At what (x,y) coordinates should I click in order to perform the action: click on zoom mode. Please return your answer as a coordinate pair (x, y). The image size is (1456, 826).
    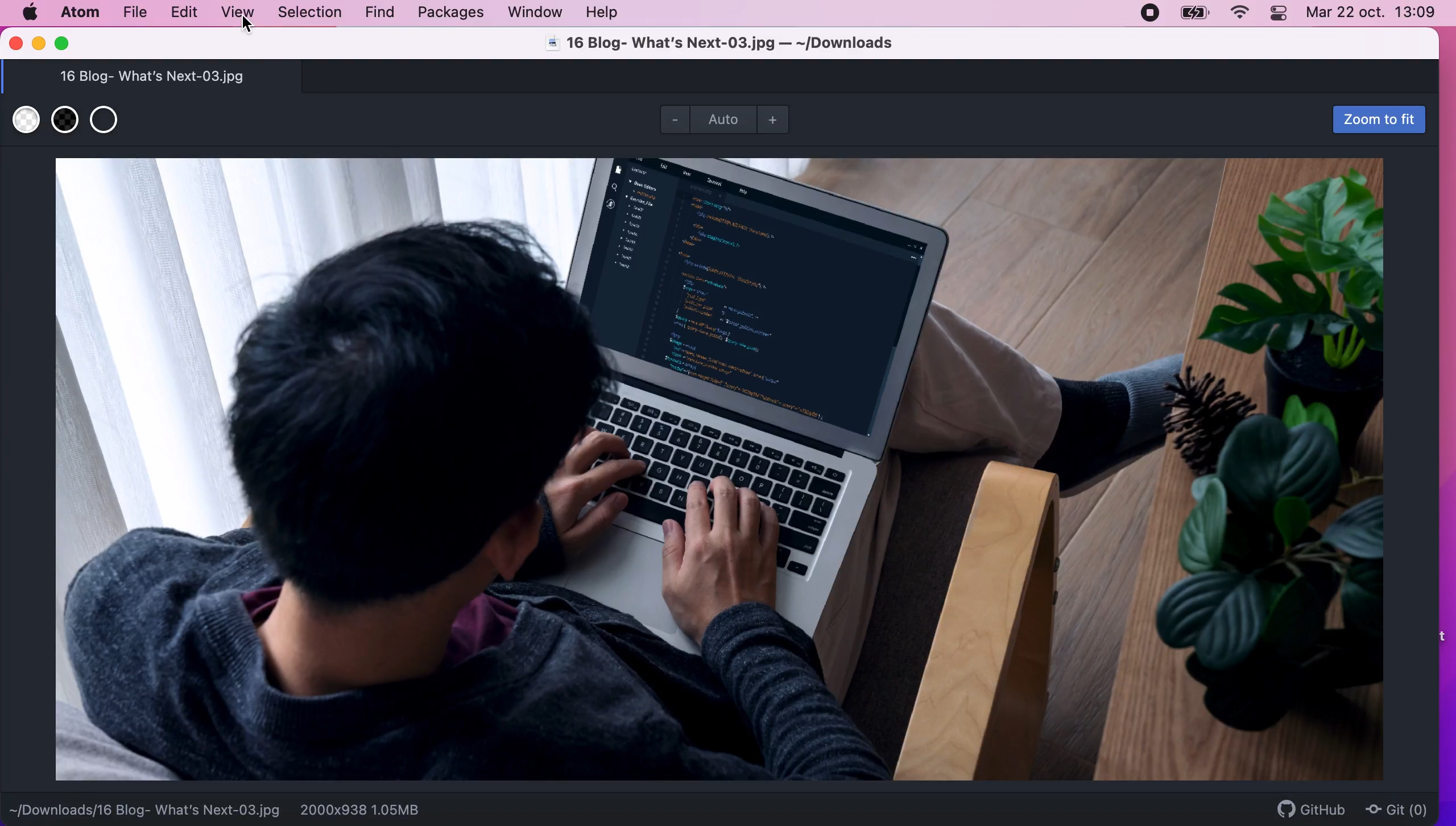
    Looking at the image, I should click on (723, 119).